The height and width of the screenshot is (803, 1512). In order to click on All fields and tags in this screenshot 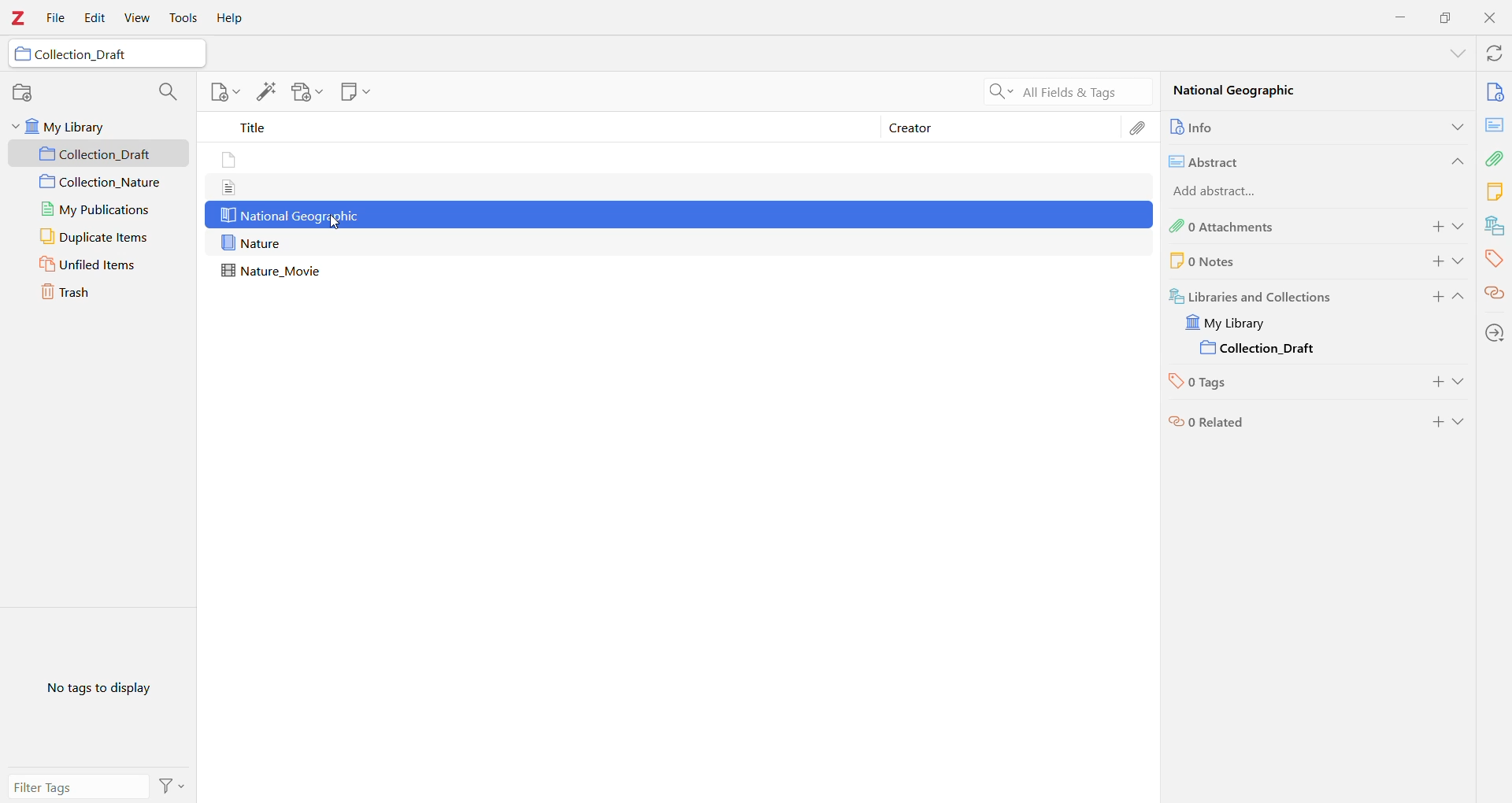, I will do `click(1065, 91)`.